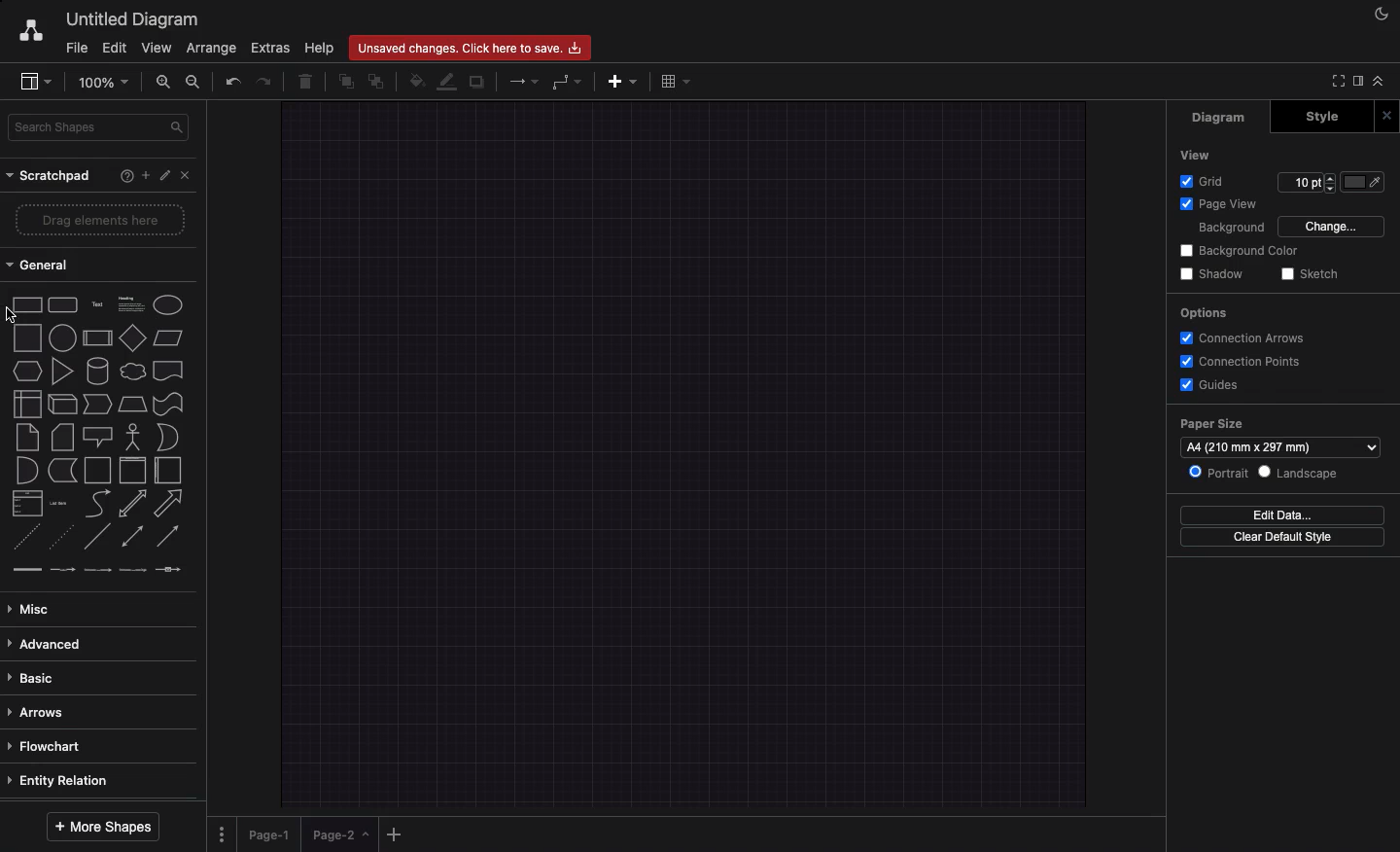 The width and height of the screenshot is (1400, 852). I want to click on Unsaved changes. click here to save changes, so click(474, 47).